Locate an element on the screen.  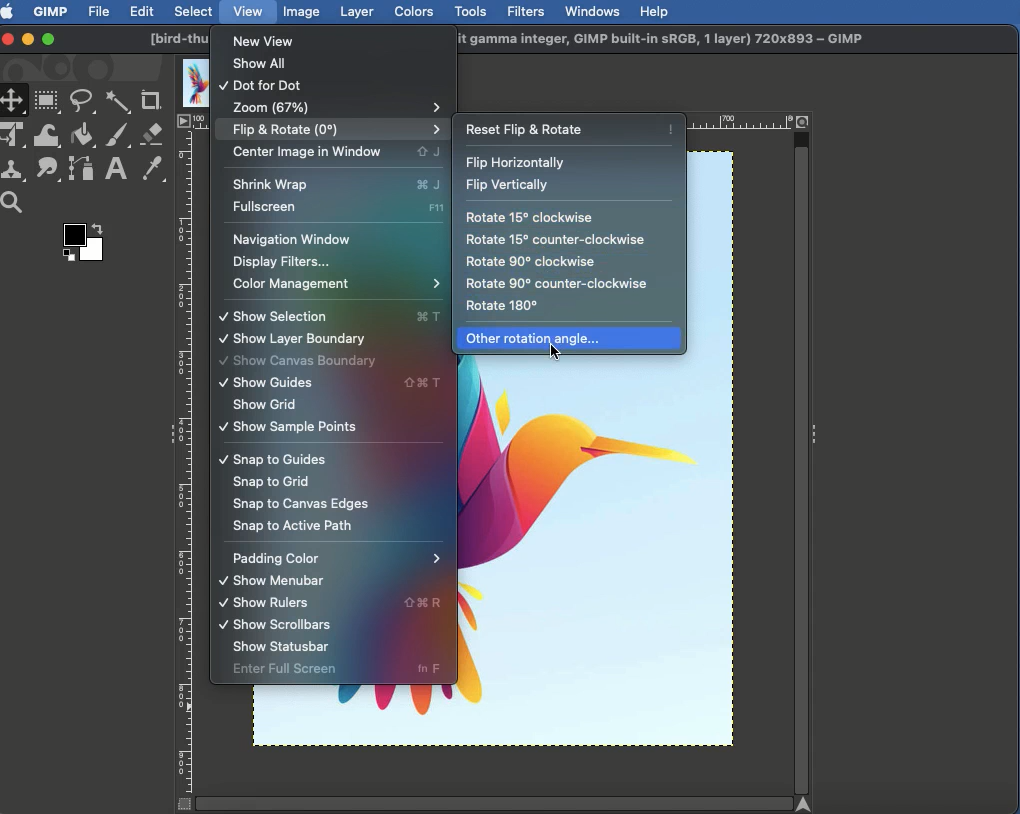
Maximize is located at coordinates (48, 41).